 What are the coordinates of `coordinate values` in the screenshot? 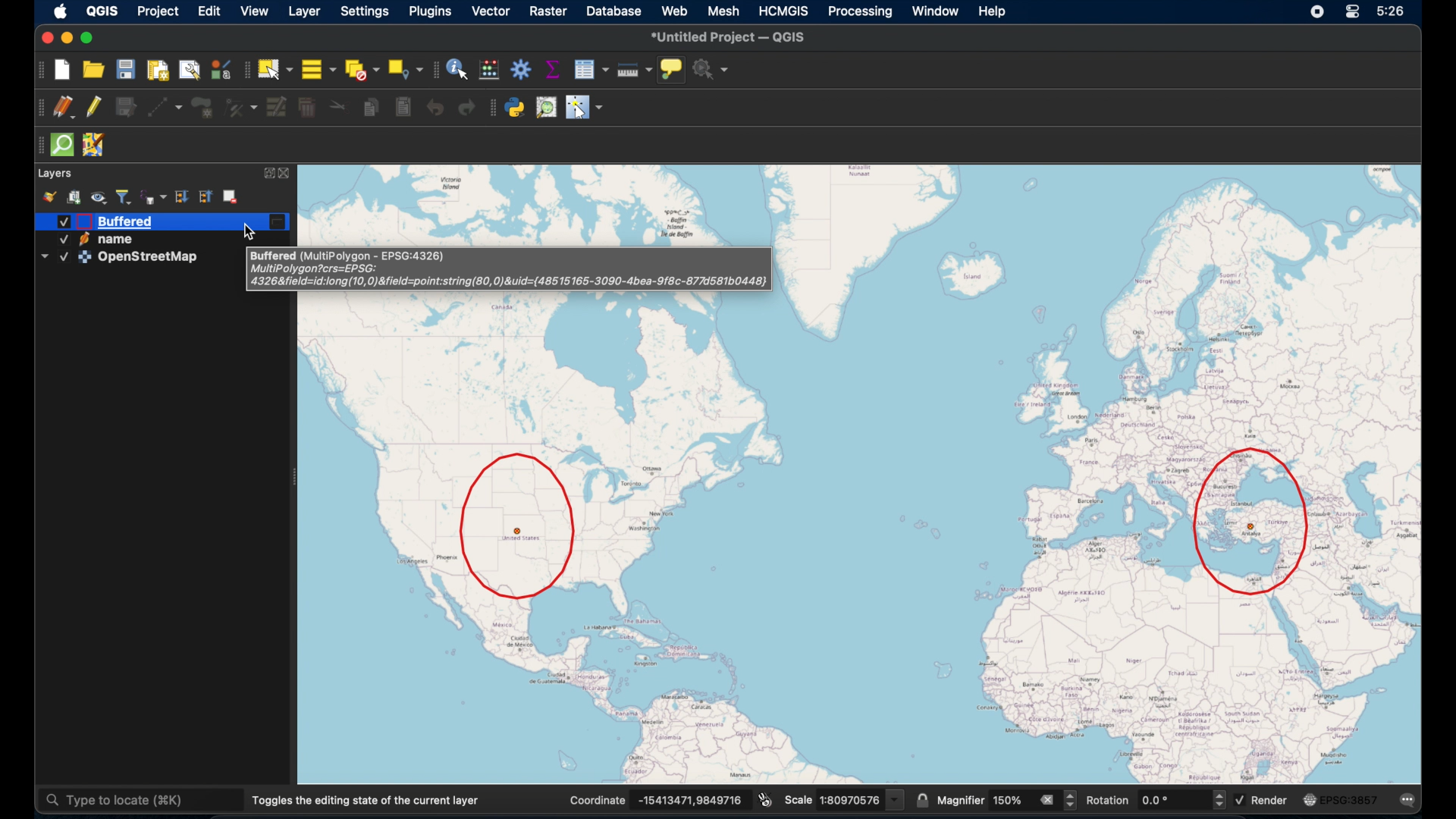 It's located at (692, 799).